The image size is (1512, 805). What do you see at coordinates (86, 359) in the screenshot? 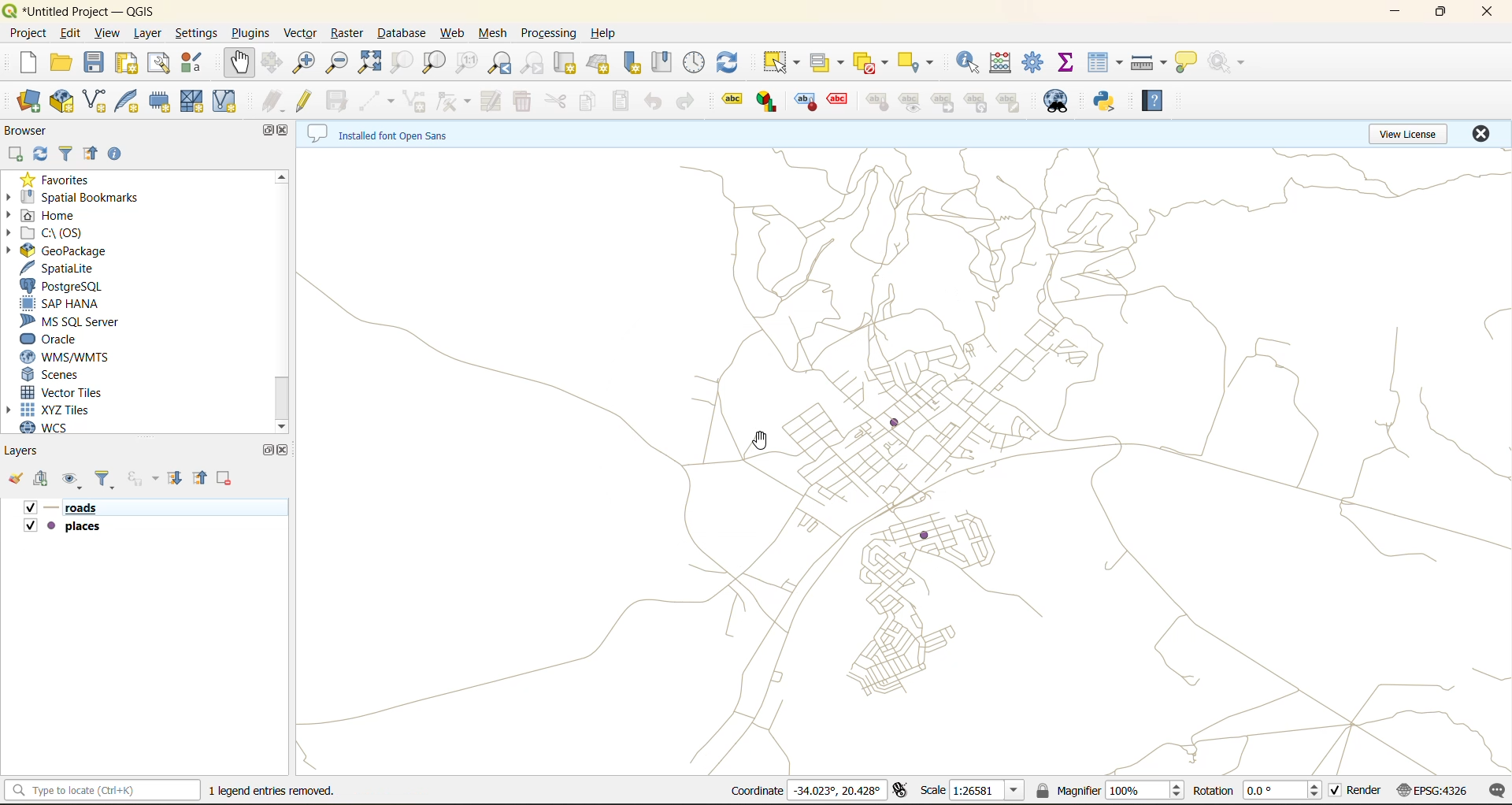
I see `wms` at bounding box center [86, 359].